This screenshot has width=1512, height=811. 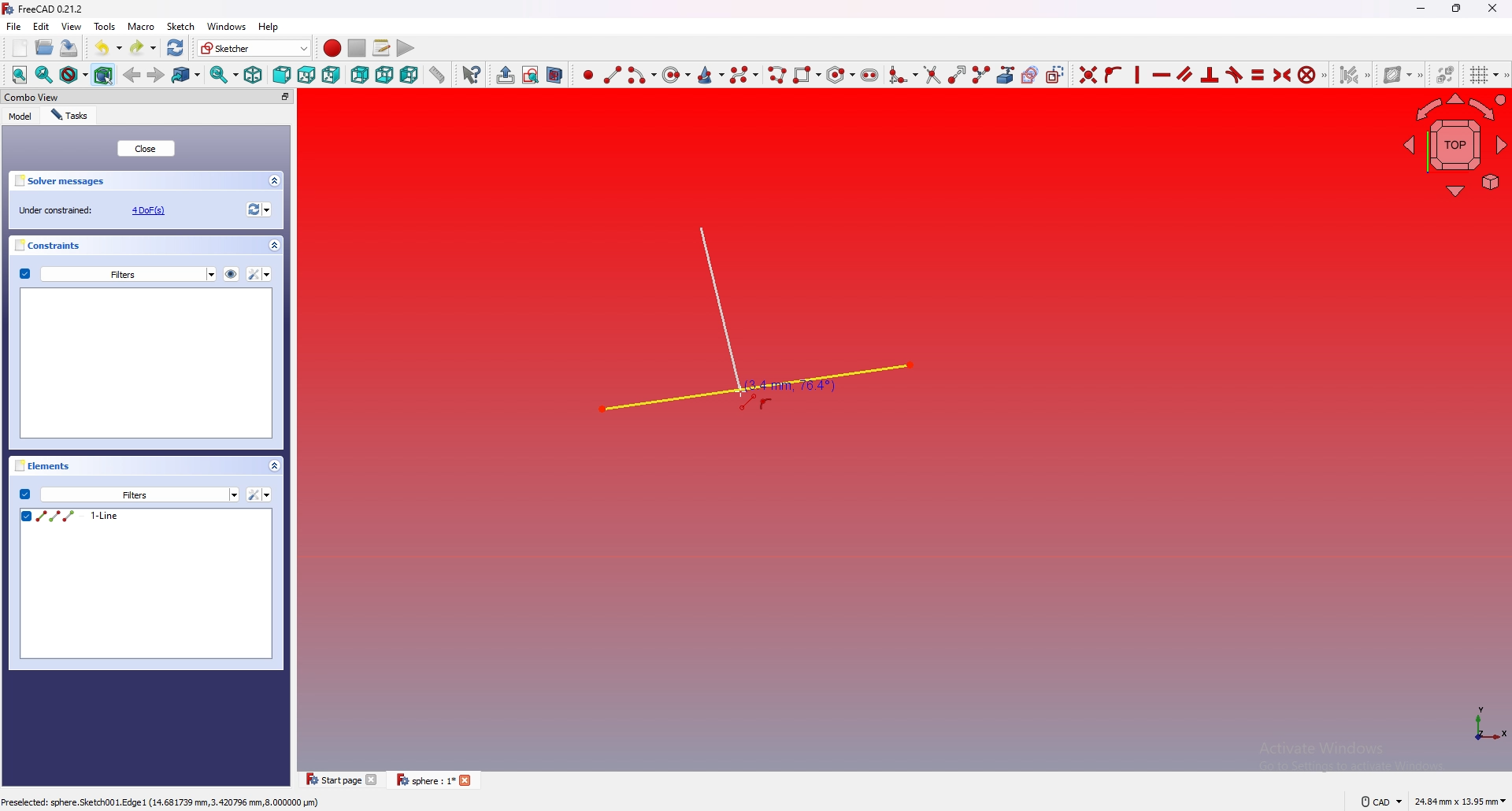 What do you see at coordinates (1352, 75) in the screenshot?
I see `Select associated constraints` at bounding box center [1352, 75].